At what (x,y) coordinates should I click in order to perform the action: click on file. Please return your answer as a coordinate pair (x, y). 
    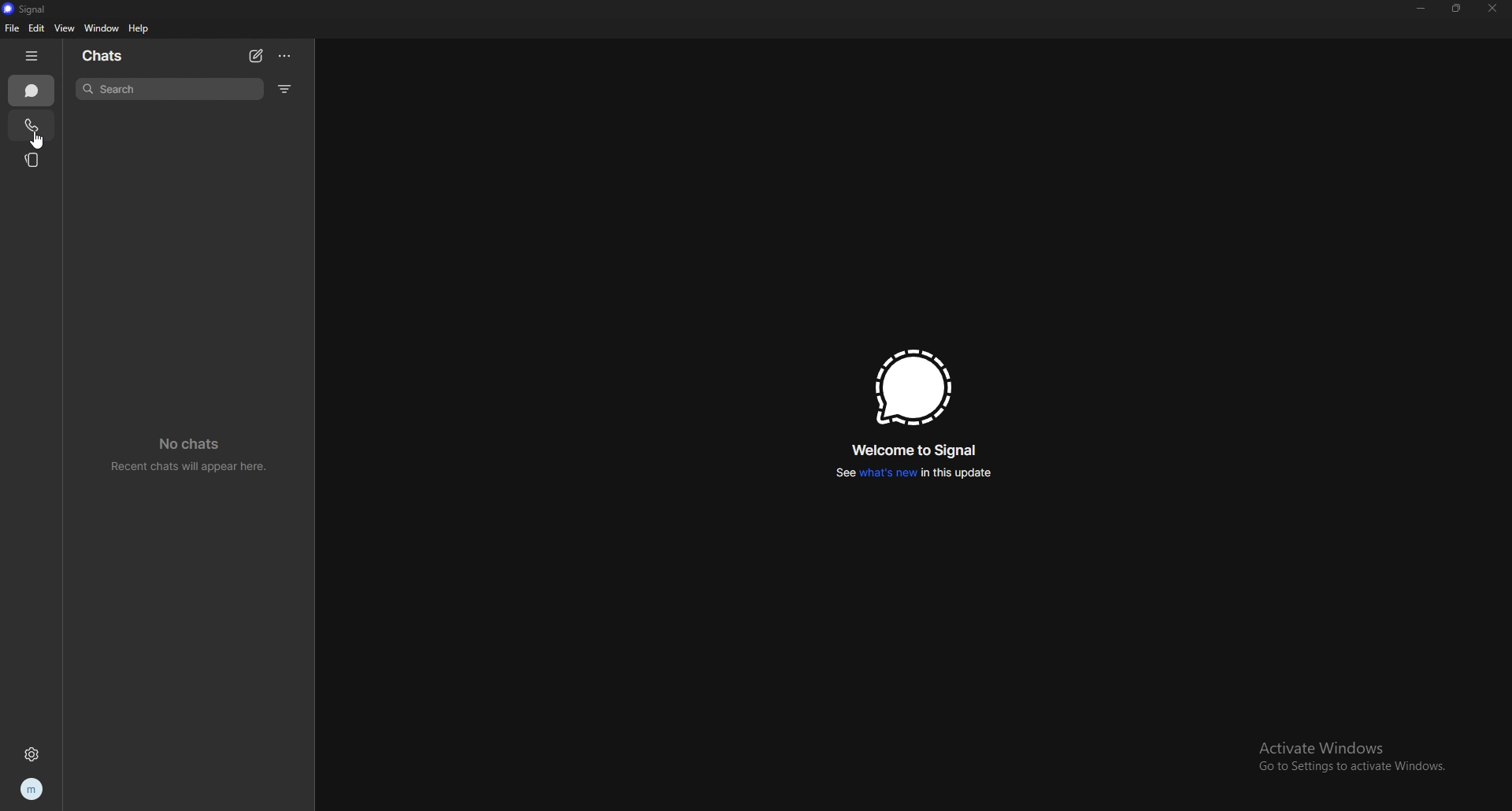
    Looking at the image, I should click on (13, 28).